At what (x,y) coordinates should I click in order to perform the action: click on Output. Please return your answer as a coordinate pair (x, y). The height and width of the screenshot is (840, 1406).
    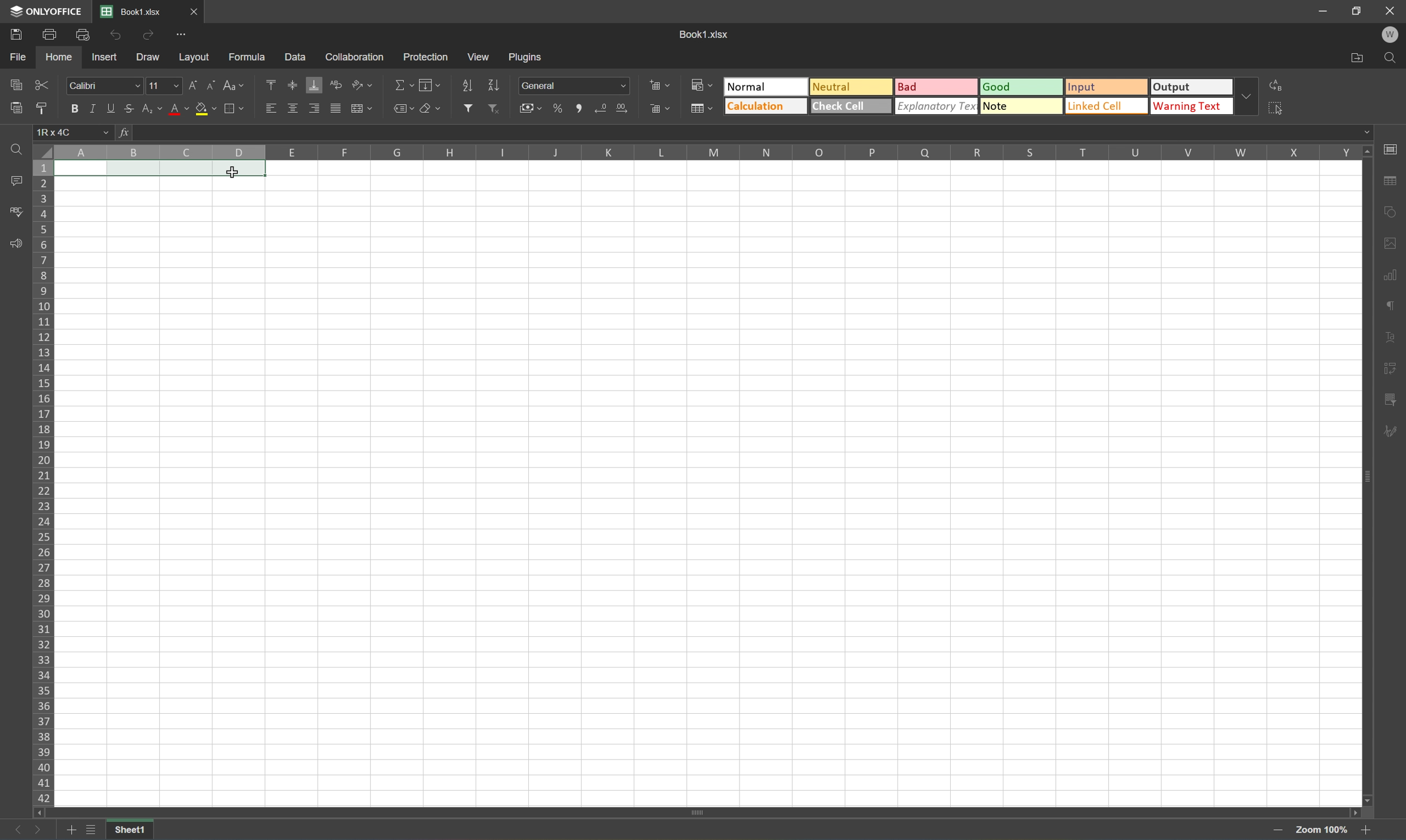
    Looking at the image, I should click on (1195, 87).